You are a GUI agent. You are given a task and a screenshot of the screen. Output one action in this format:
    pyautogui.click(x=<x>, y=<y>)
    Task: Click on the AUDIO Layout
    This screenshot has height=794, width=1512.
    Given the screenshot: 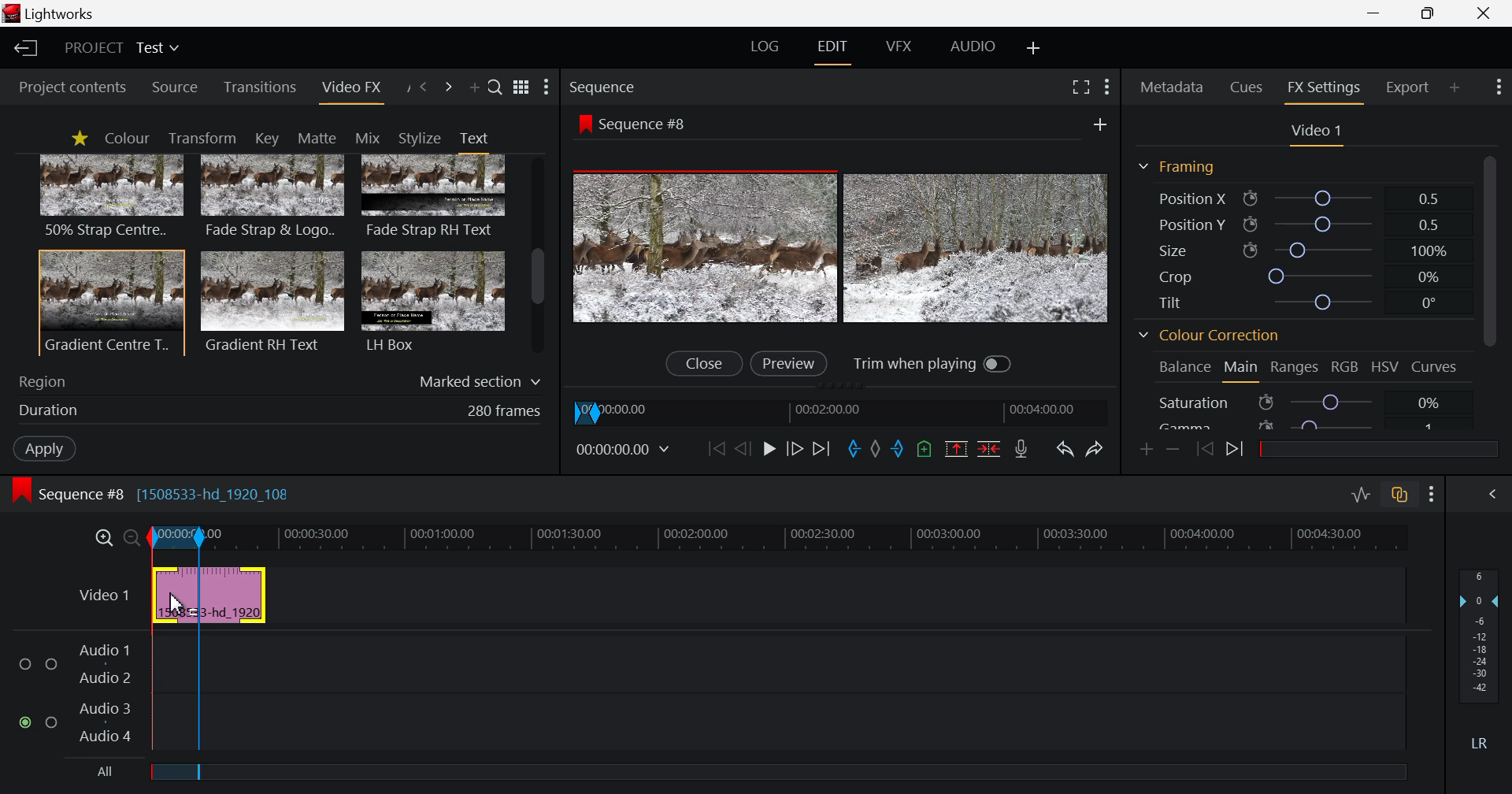 What is the action you would take?
    pyautogui.click(x=978, y=45)
    